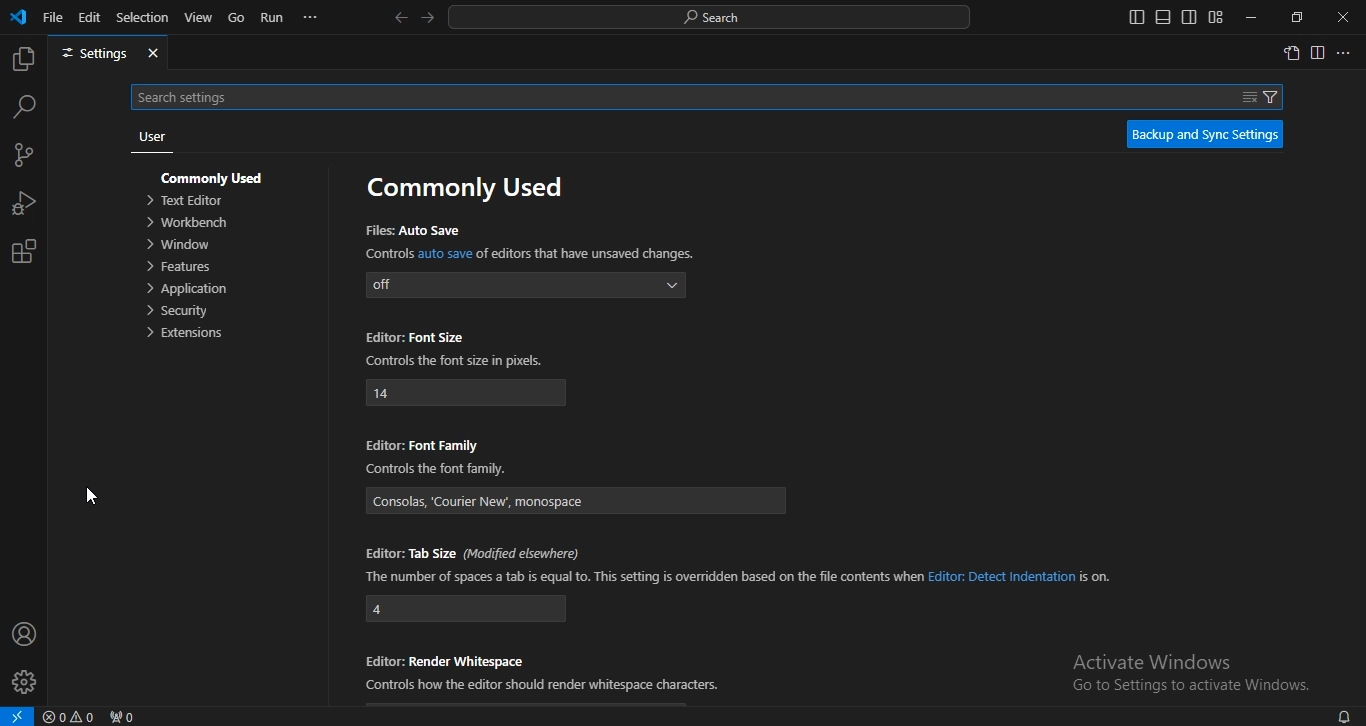 This screenshot has width=1366, height=726. What do you see at coordinates (22, 60) in the screenshot?
I see `explorer` at bounding box center [22, 60].